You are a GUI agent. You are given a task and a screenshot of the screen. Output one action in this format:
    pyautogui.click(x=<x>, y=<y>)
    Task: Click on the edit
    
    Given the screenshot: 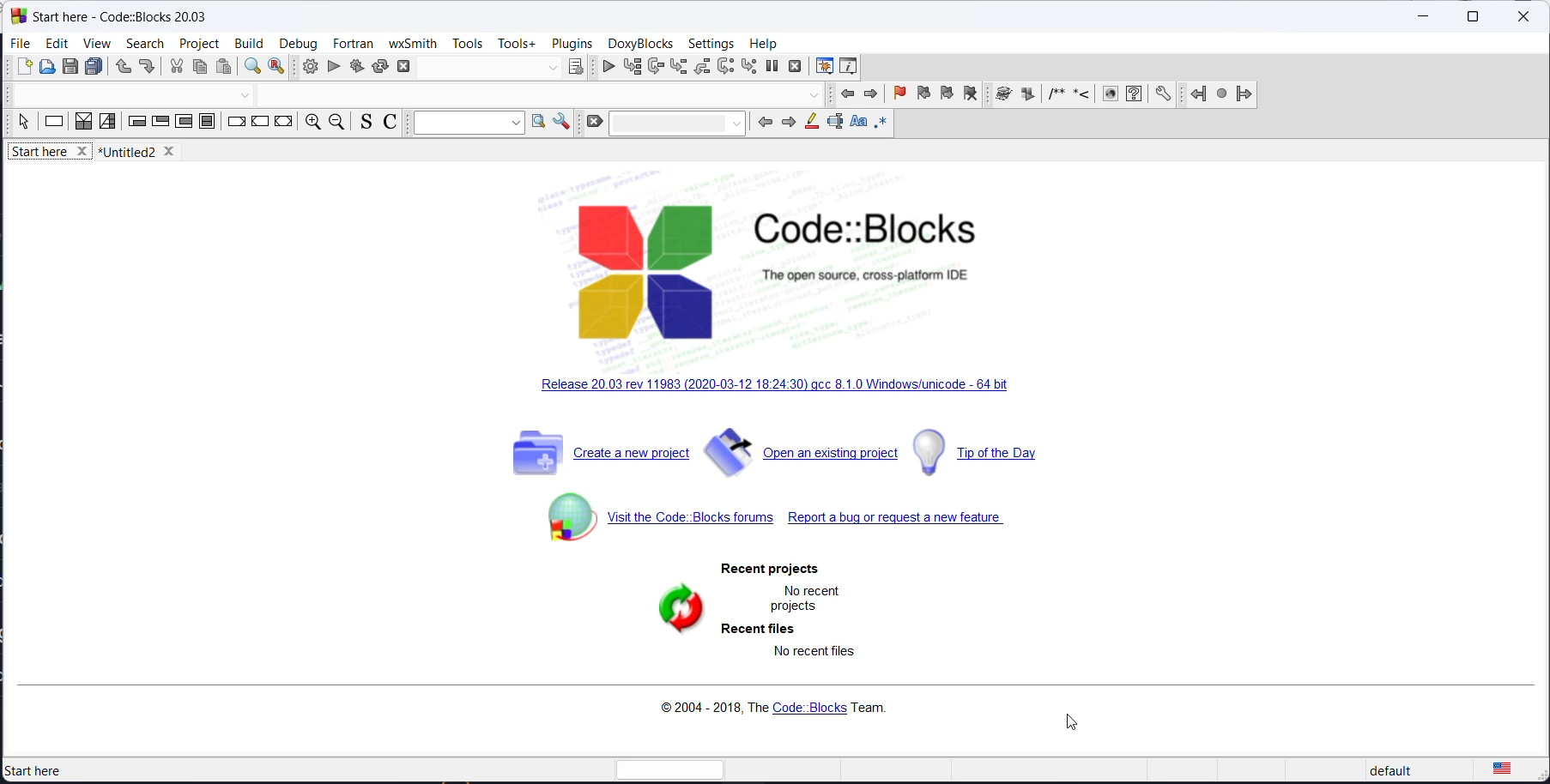 What is the action you would take?
    pyautogui.click(x=57, y=43)
    